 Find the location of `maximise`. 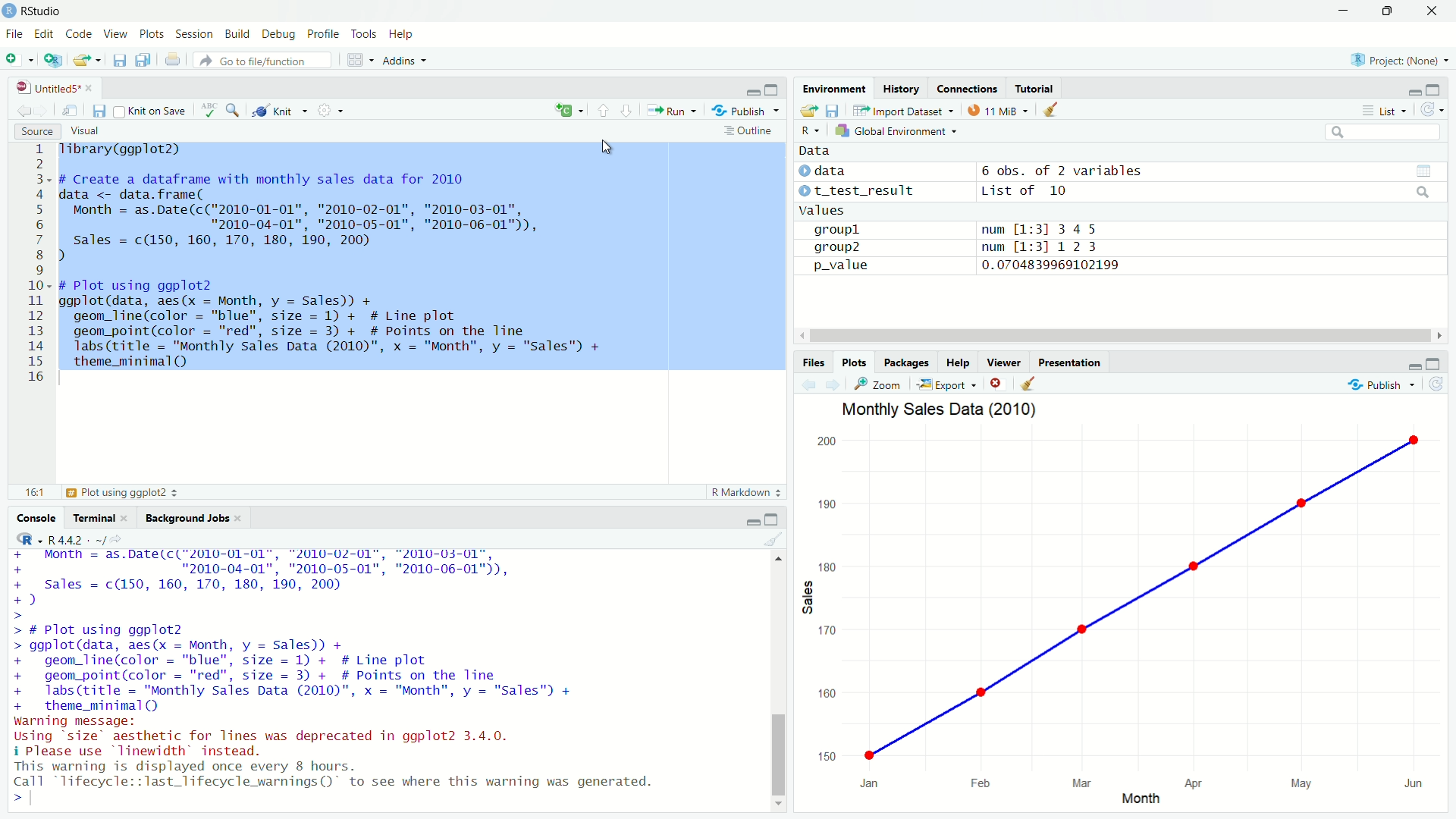

maximise is located at coordinates (1434, 89).